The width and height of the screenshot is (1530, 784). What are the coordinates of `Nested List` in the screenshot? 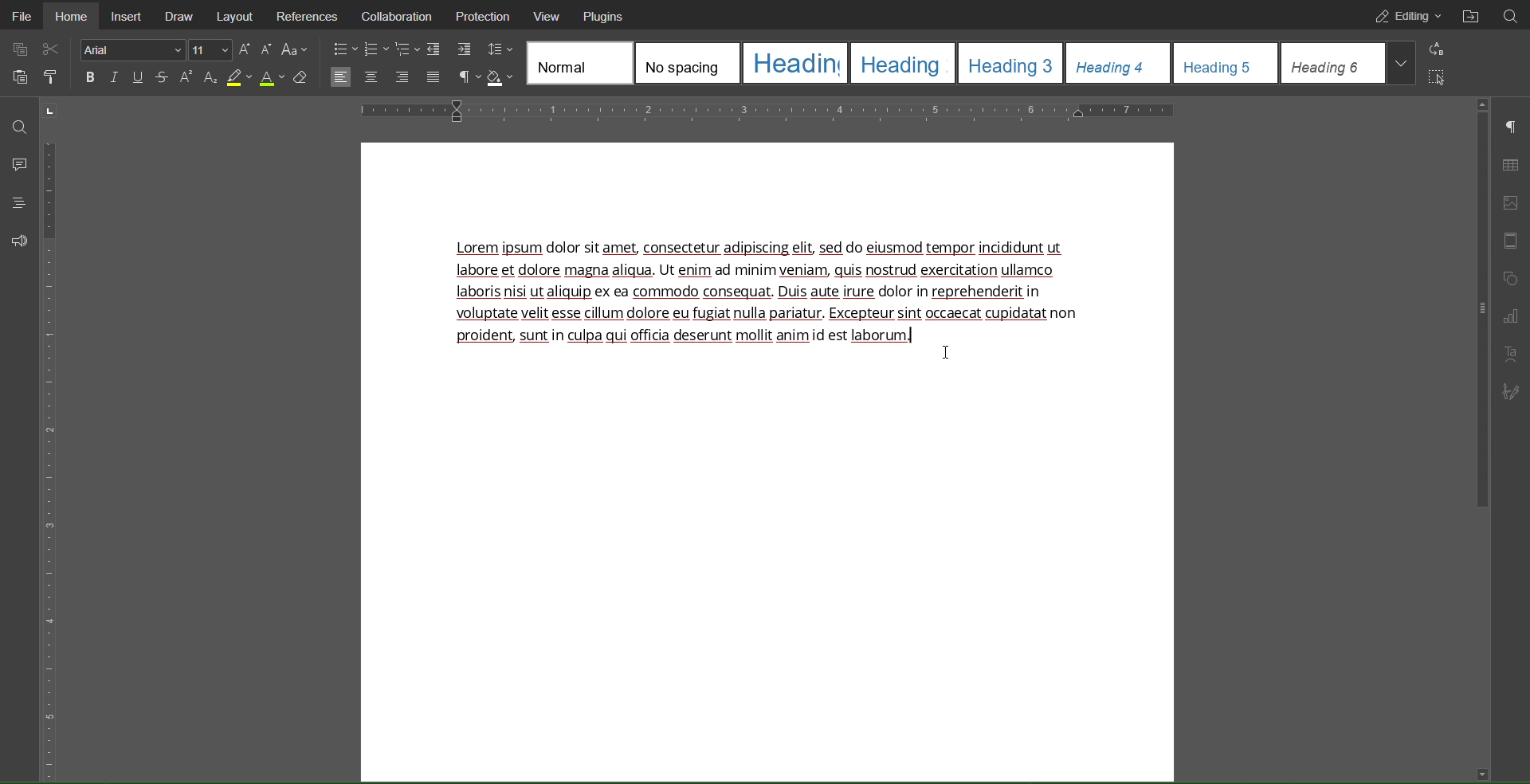 It's located at (409, 49).